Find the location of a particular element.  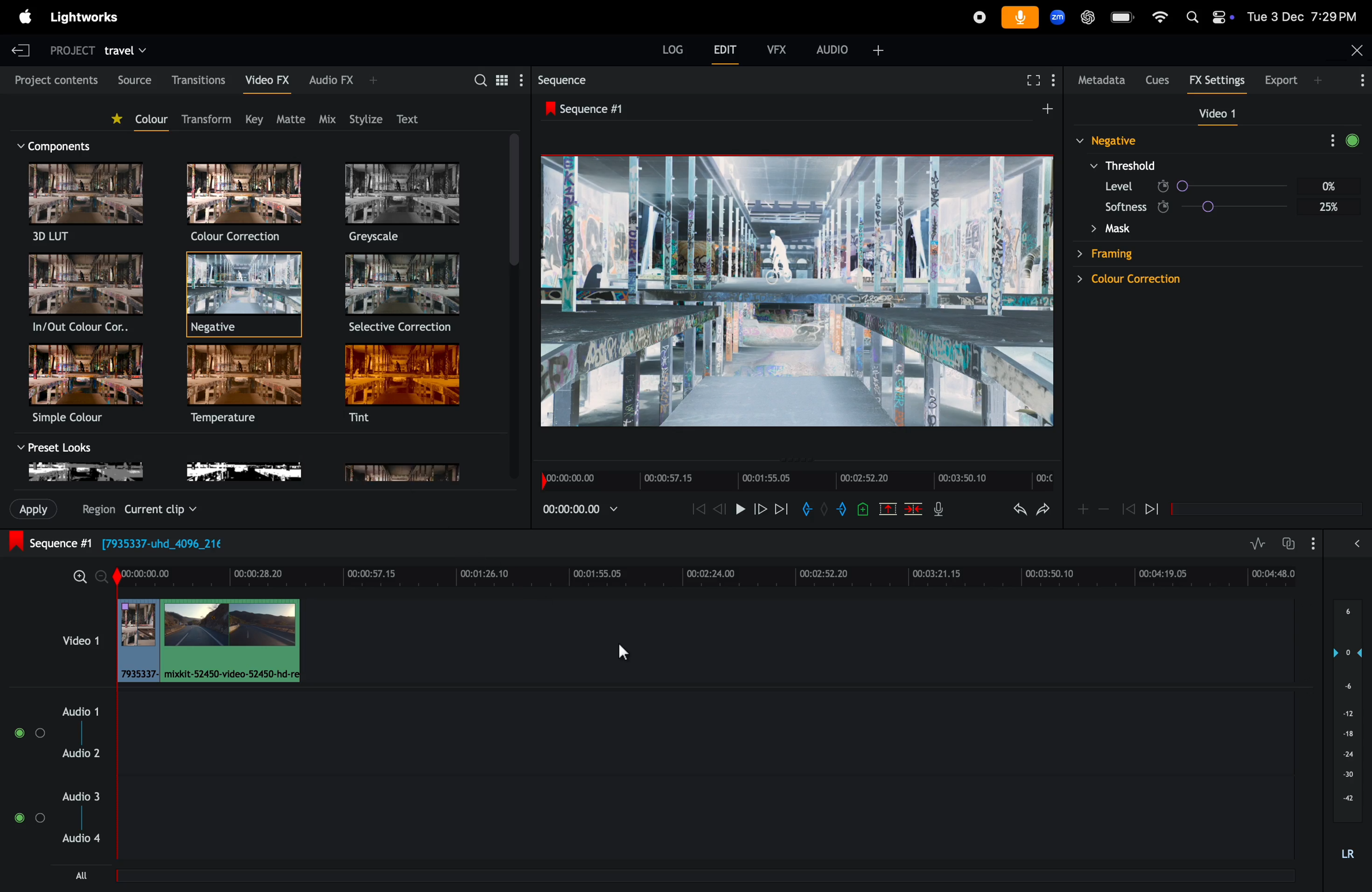

forward is located at coordinates (757, 511).